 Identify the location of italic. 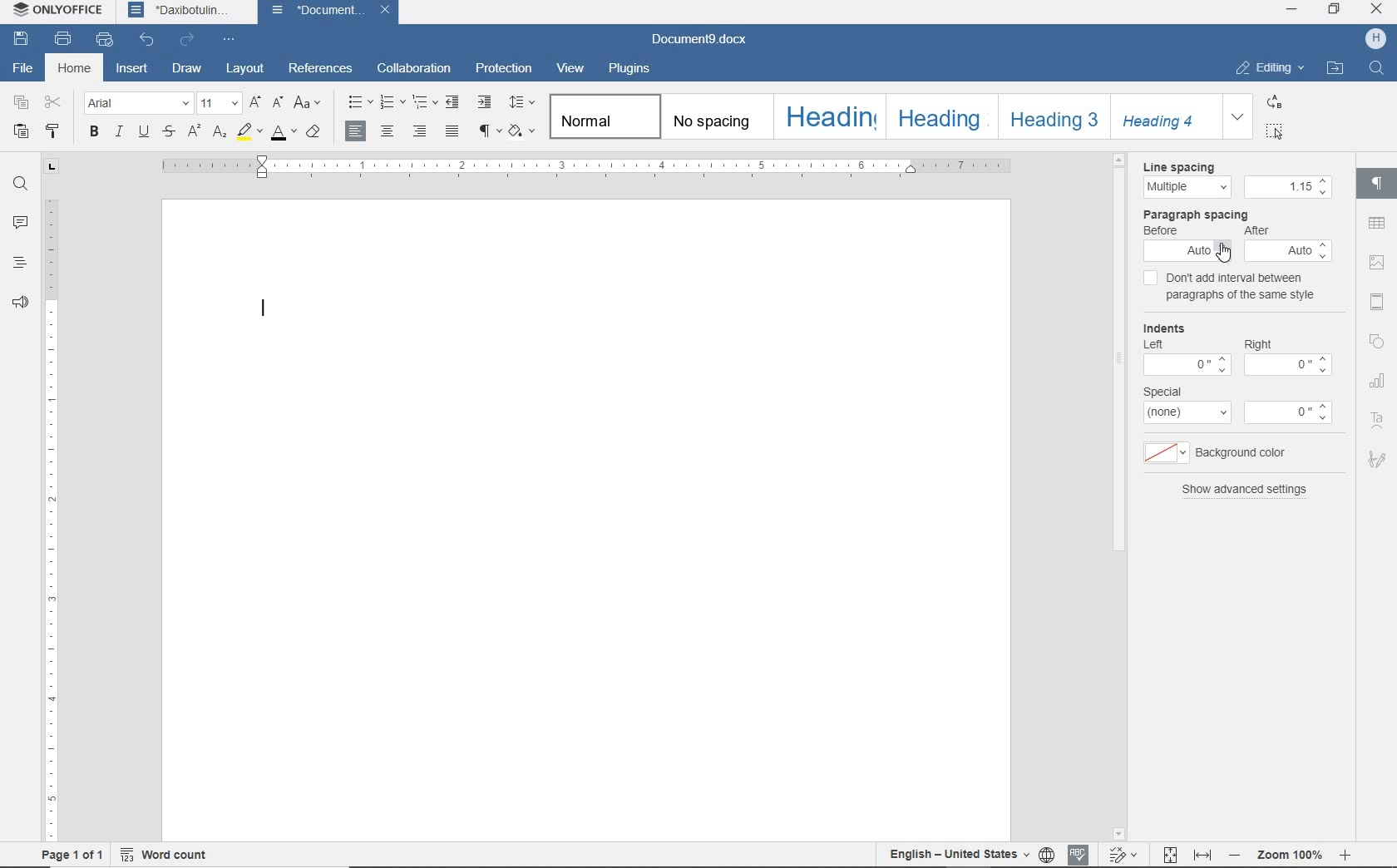
(120, 133).